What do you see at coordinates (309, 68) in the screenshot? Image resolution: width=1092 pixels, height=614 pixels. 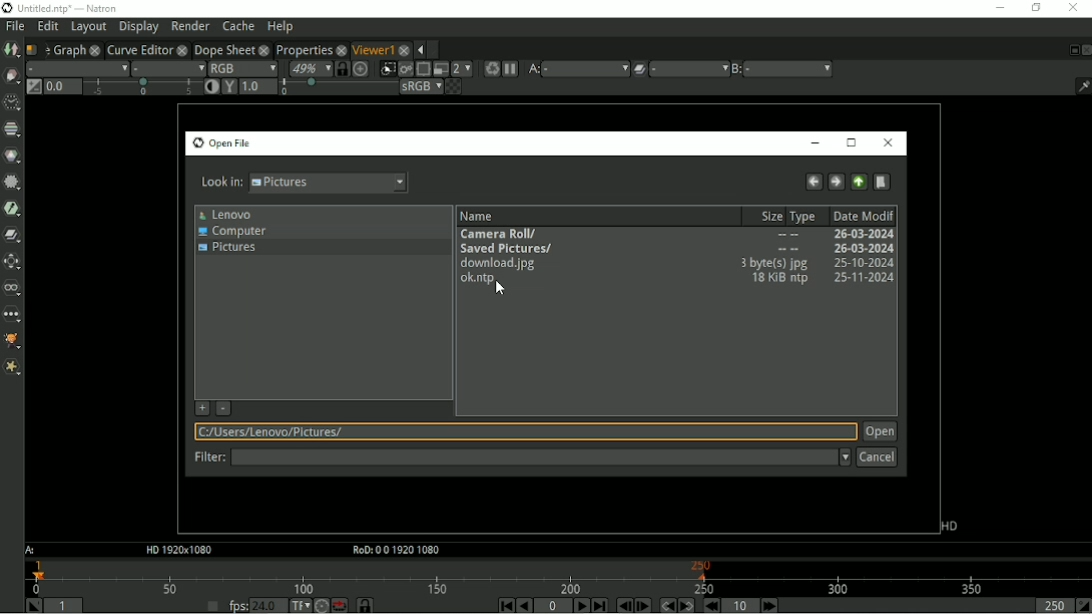 I see `Zoom` at bounding box center [309, 68].